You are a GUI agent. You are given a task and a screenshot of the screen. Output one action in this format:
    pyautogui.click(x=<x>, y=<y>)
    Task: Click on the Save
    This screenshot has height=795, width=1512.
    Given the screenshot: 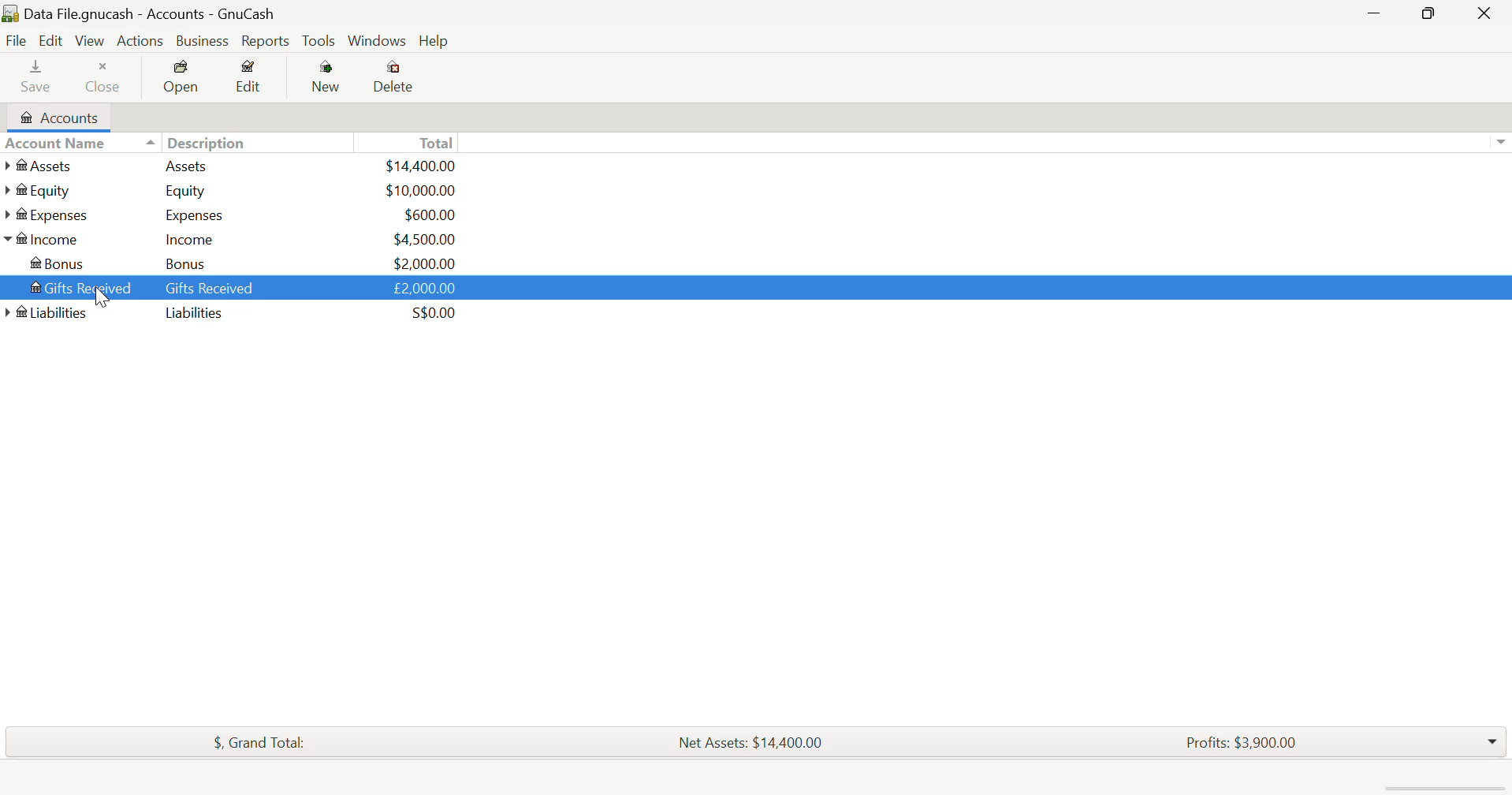 What is the action you would take?
    pyautogui.click(x=37, y=75)
    